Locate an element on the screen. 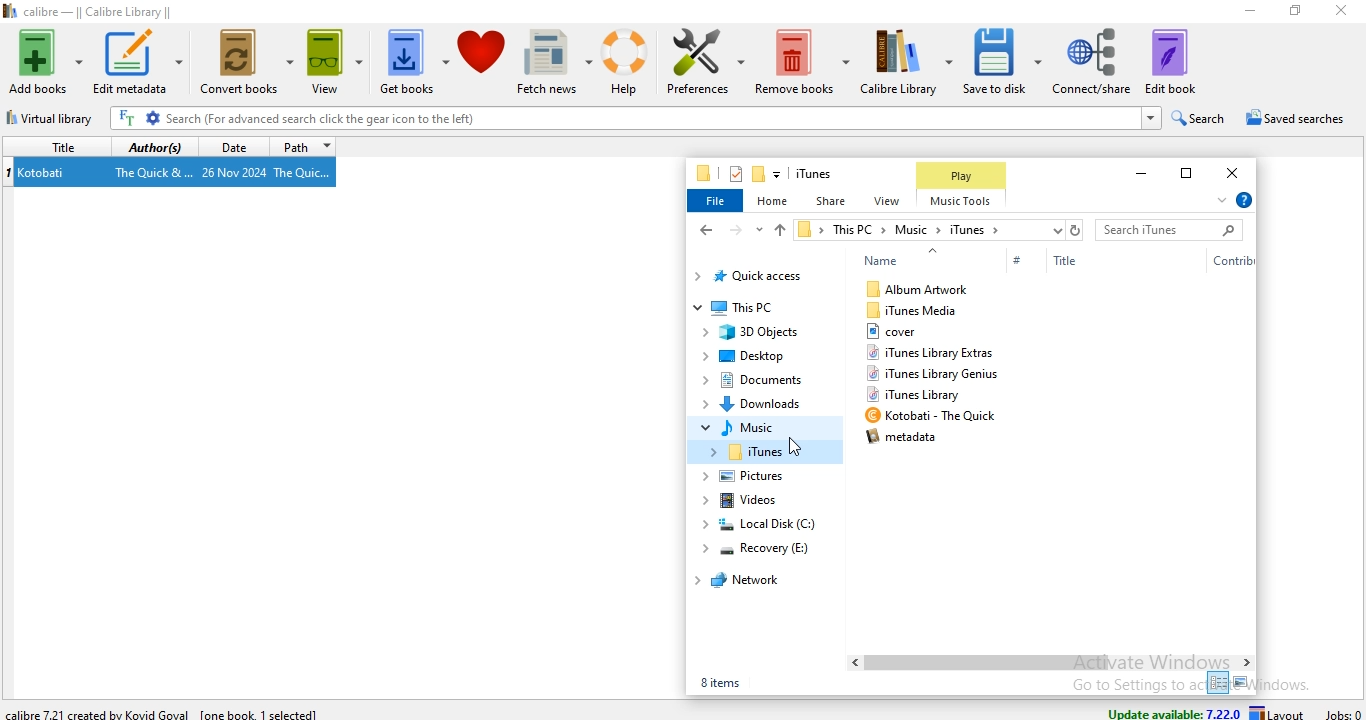  minimise is located at coordinates (1135, 175).